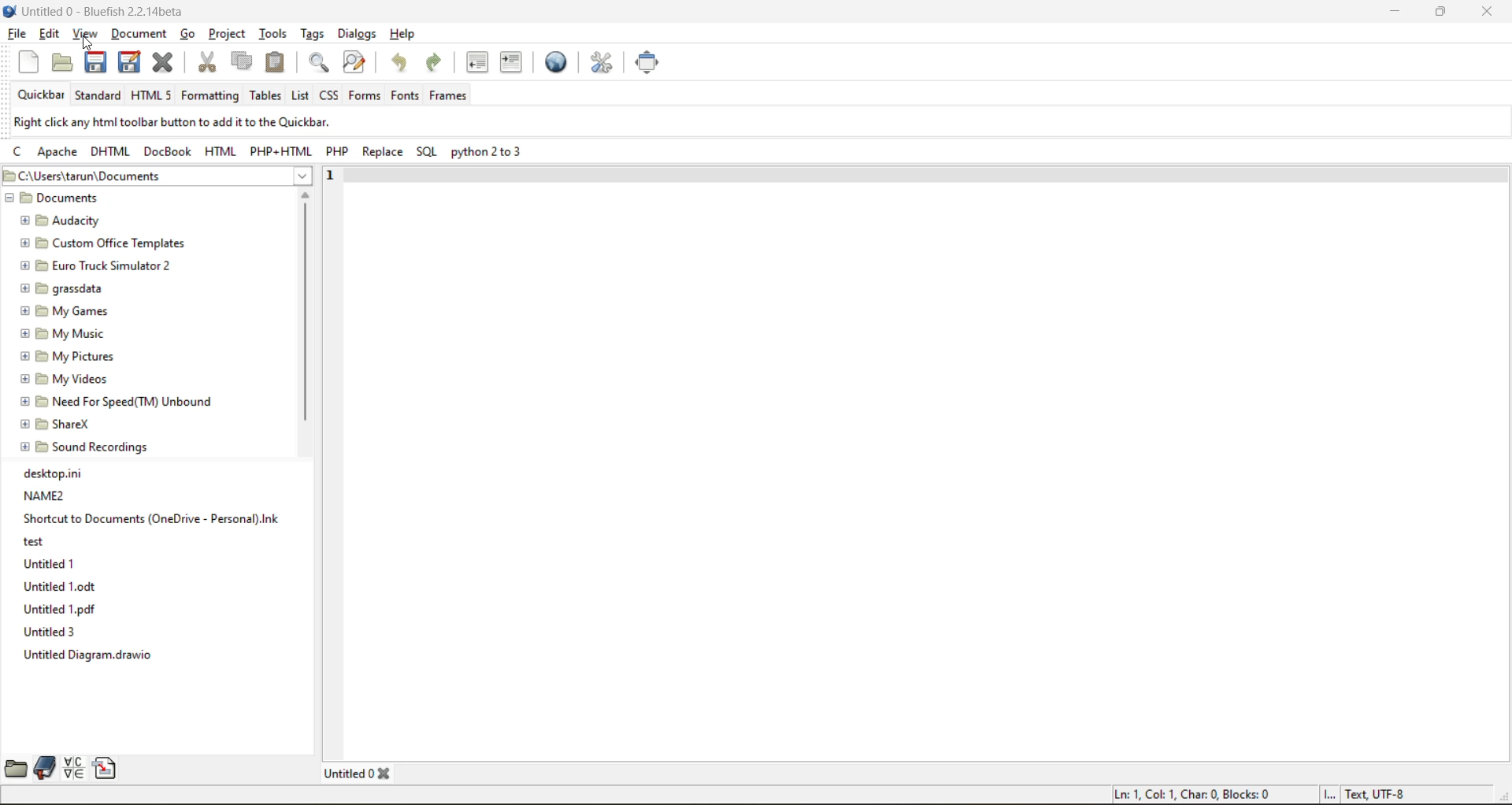  I want to click on ShareX, so click(57, 424).